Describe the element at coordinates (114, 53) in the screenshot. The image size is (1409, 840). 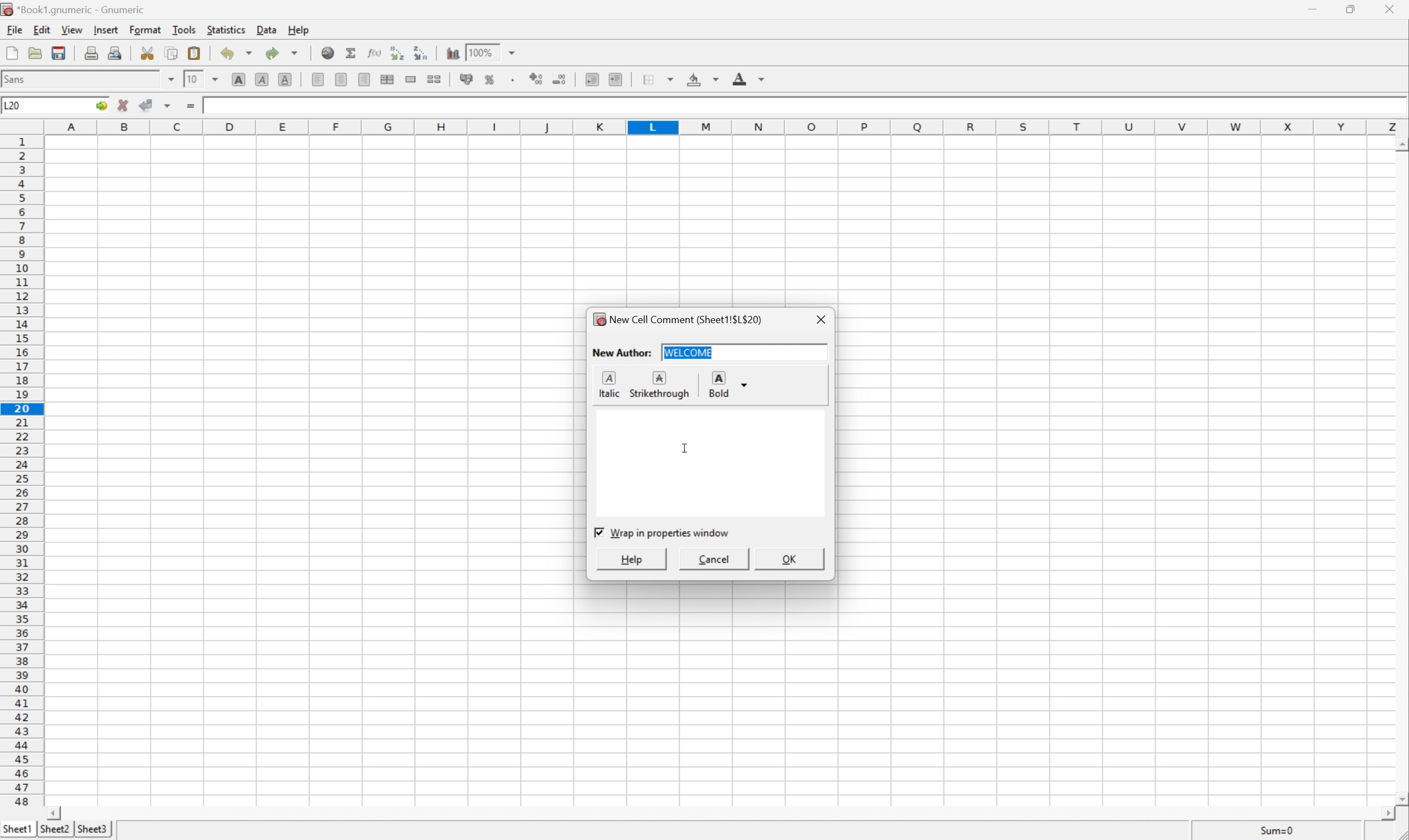
I see `Print preview` at that location.